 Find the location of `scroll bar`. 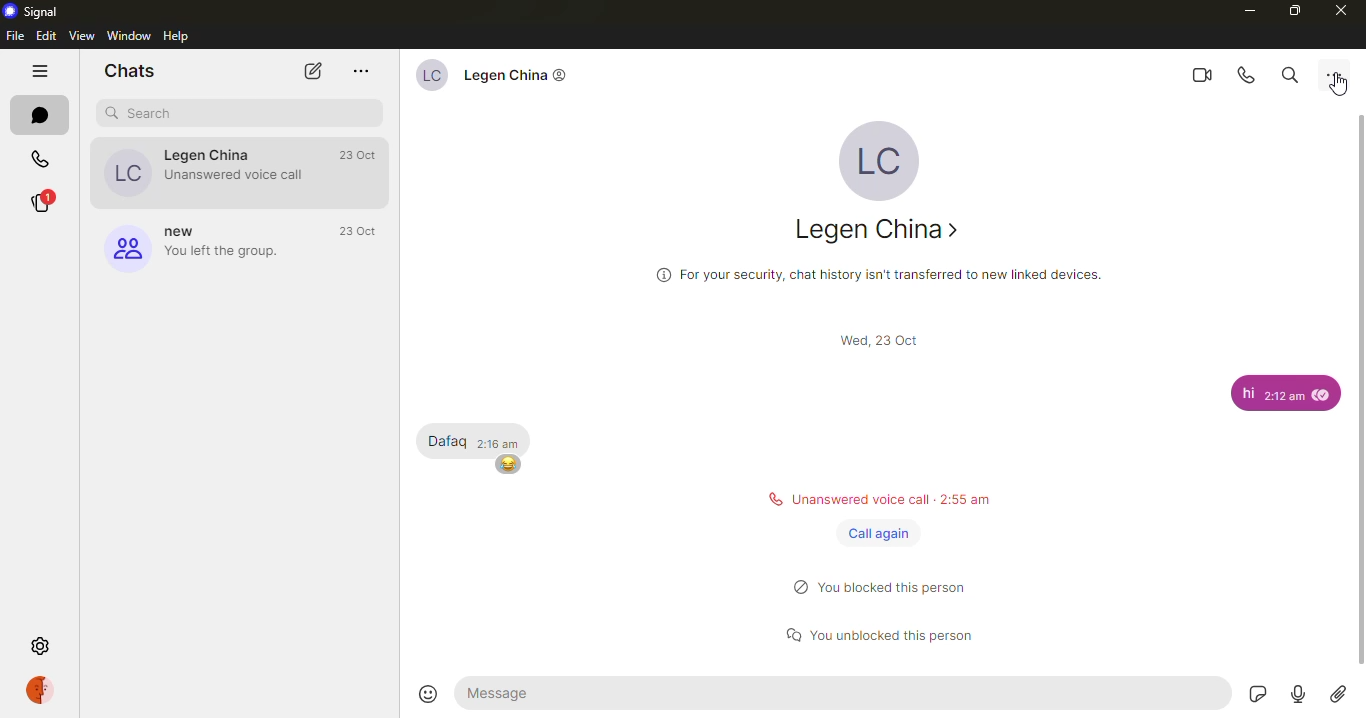

scroll bar is located at coordinates (1357, 388).